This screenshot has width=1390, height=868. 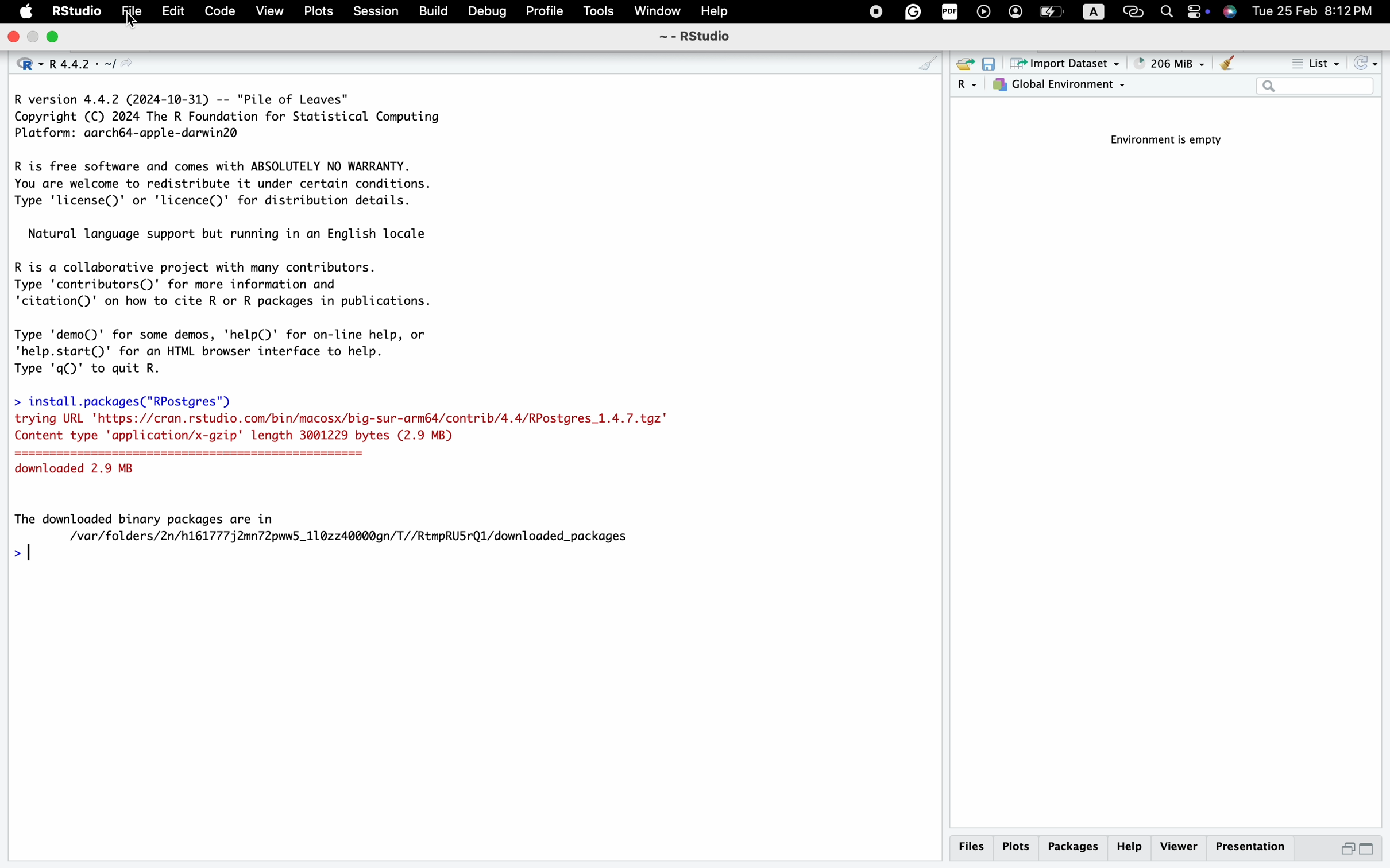 I want to click on prompt cursor, so click(x=17, y=555).